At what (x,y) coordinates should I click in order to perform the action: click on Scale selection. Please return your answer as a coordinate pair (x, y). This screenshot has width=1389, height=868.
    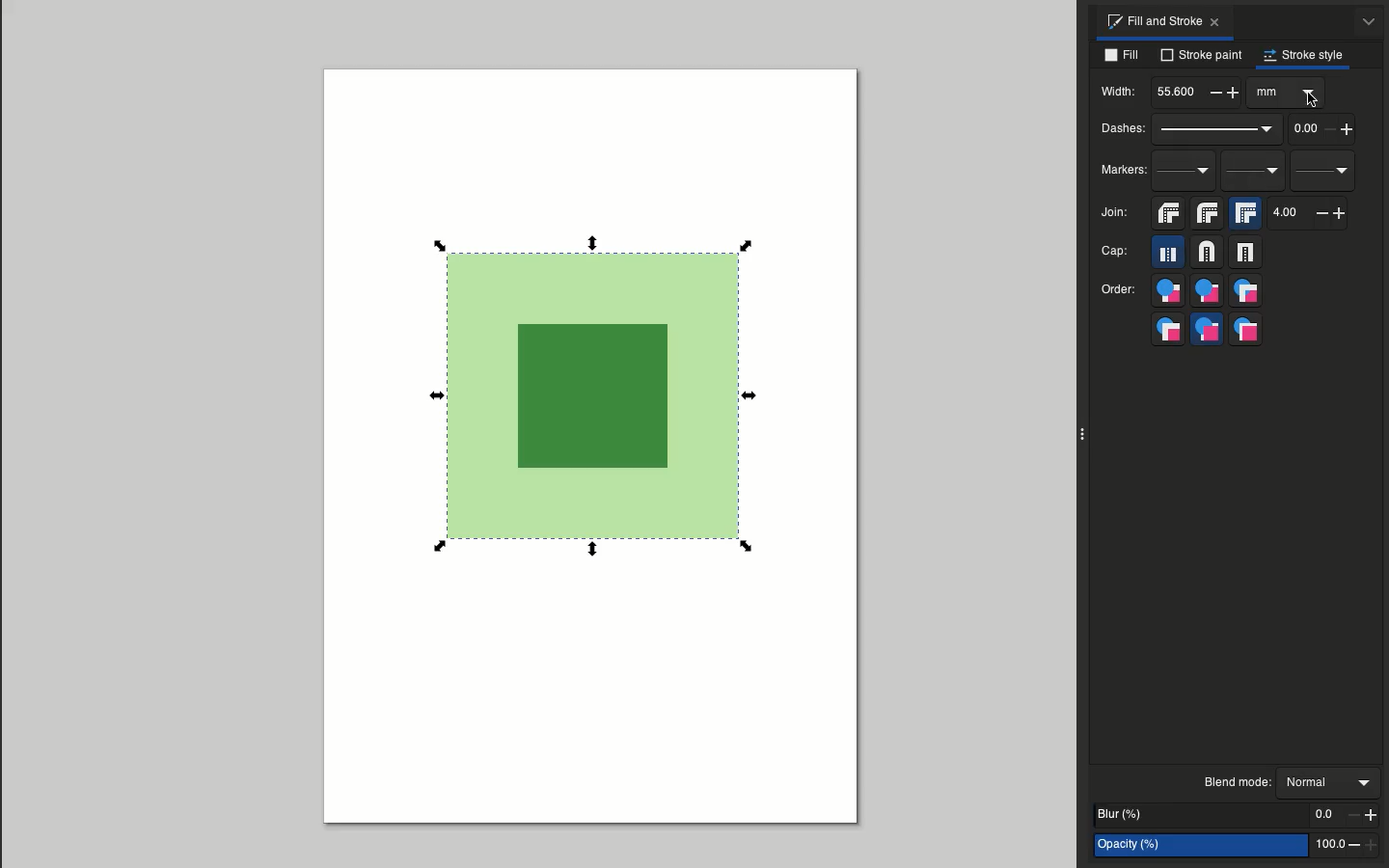
    Looking at the image, I should click on (606, 558).